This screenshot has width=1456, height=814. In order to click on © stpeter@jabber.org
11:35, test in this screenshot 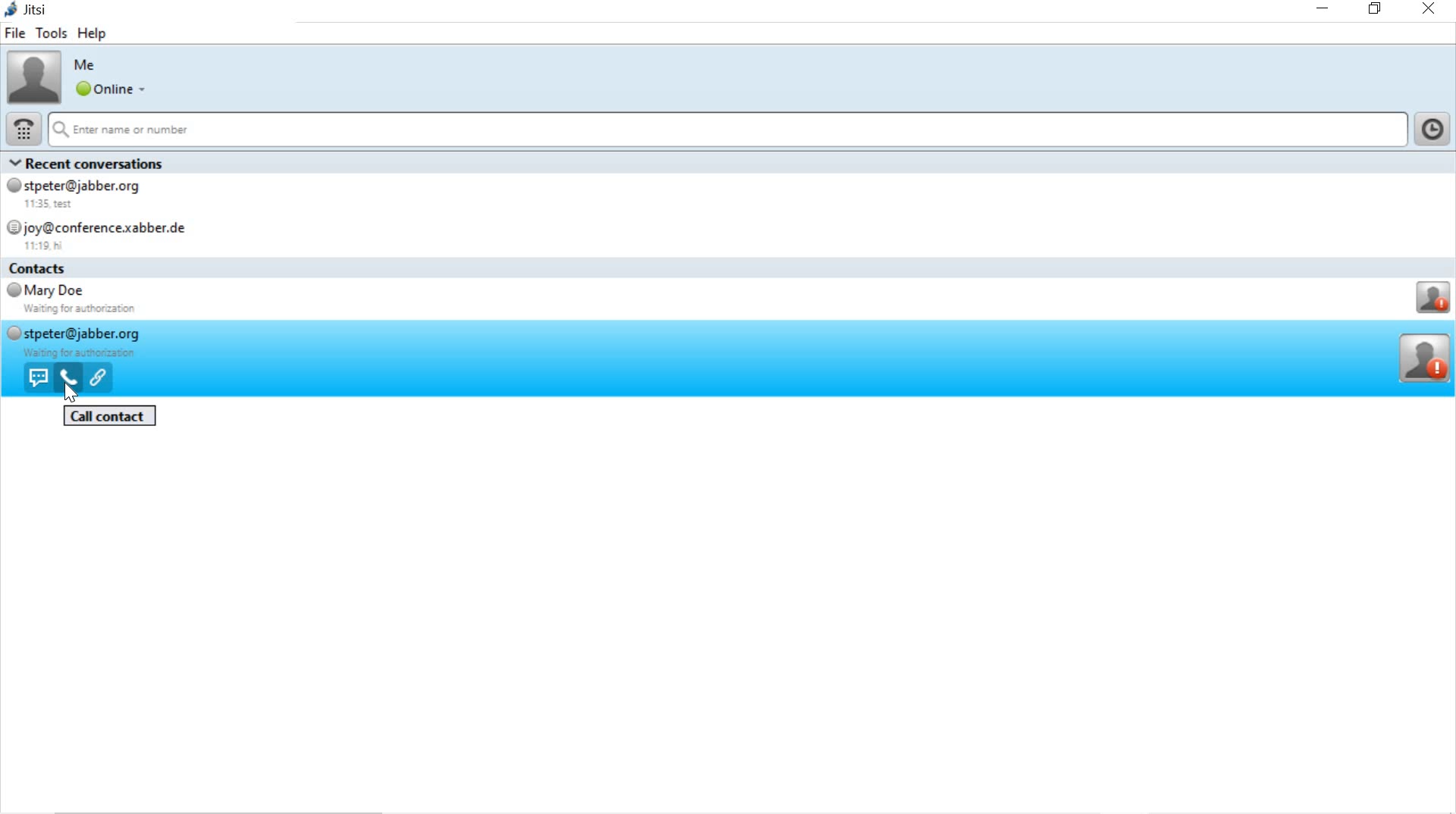, I will do `click(83, 193)`.